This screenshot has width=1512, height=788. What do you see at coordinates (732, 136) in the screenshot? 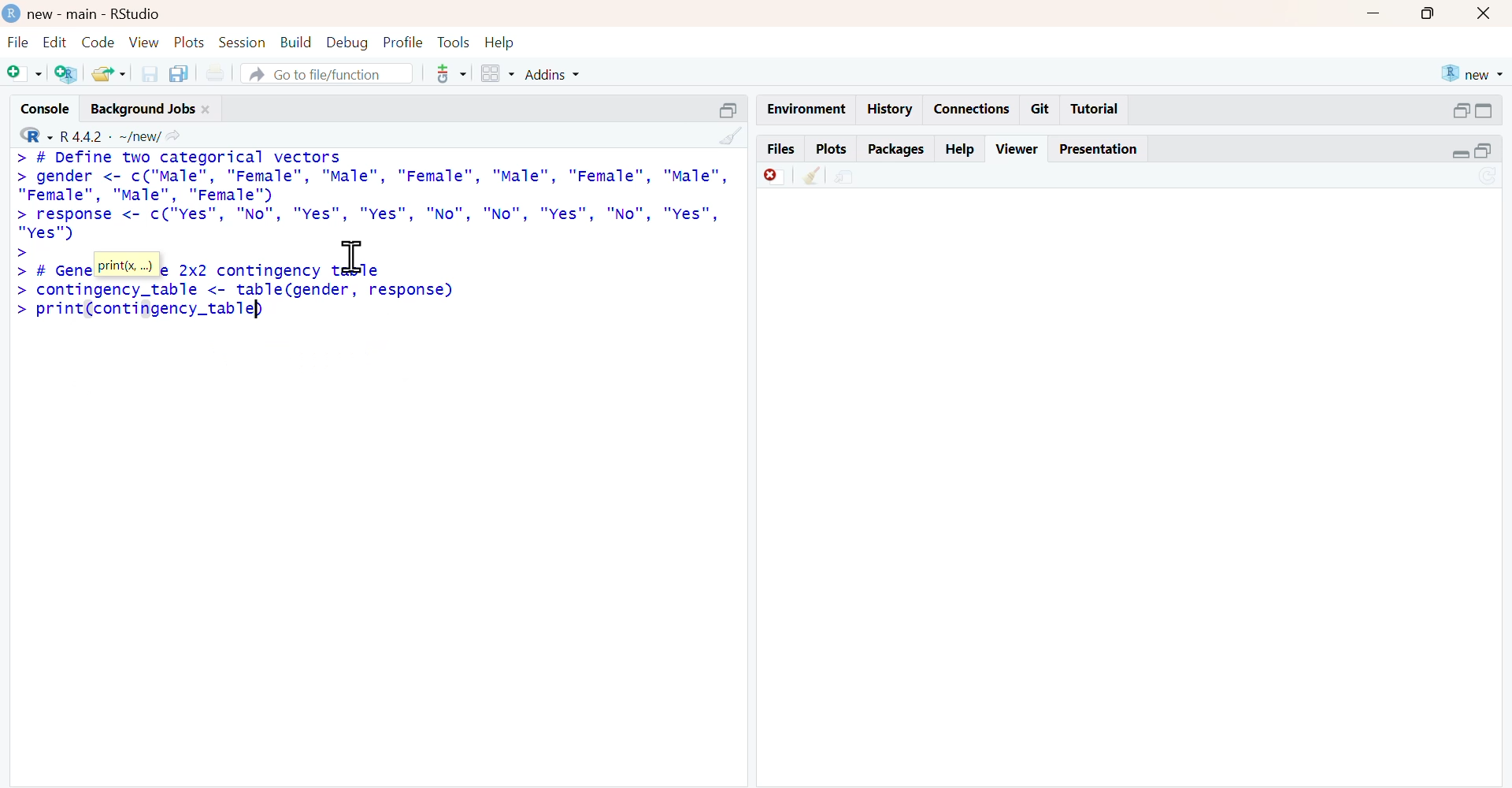
I see `clean` at bounding box center [732, 136].